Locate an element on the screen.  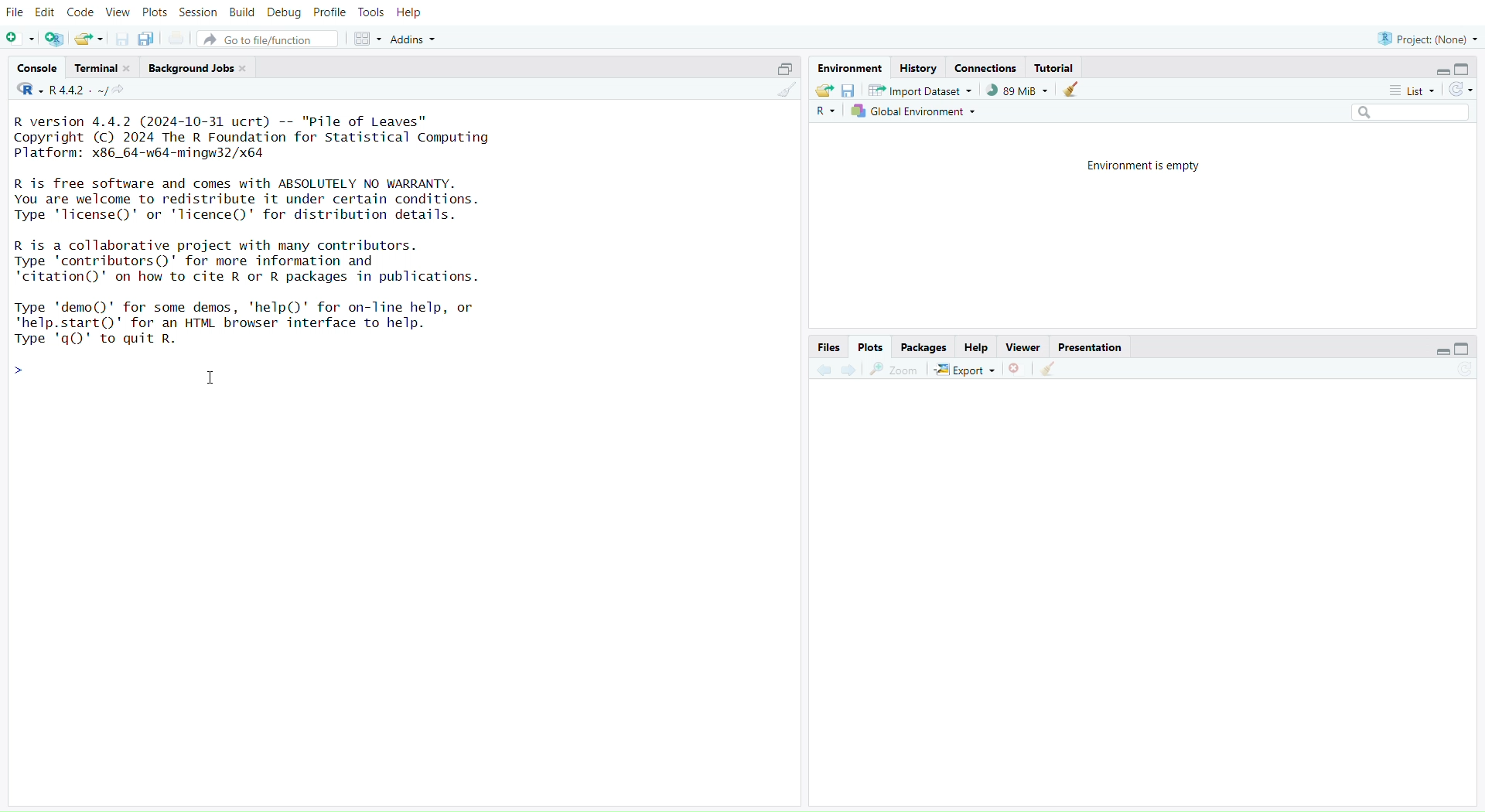
Terminal is located at coordinates (100, 67).